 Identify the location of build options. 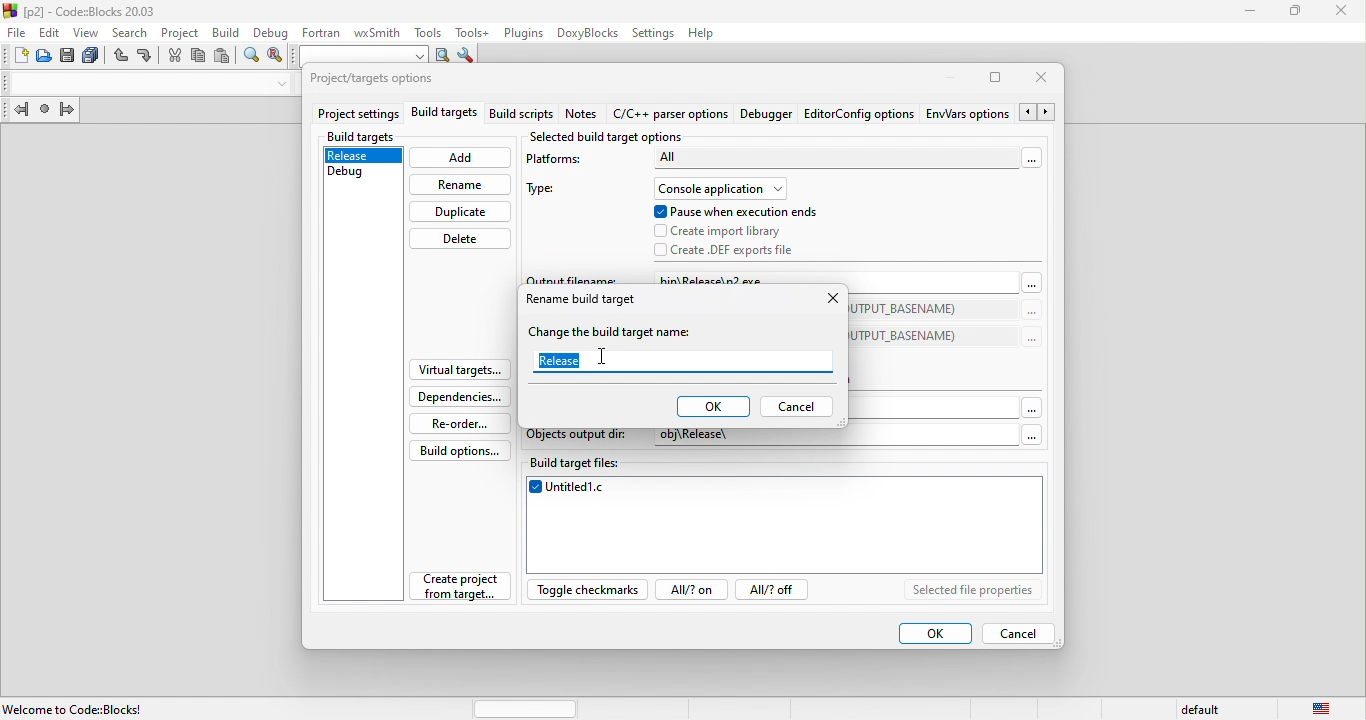
(456, 451).